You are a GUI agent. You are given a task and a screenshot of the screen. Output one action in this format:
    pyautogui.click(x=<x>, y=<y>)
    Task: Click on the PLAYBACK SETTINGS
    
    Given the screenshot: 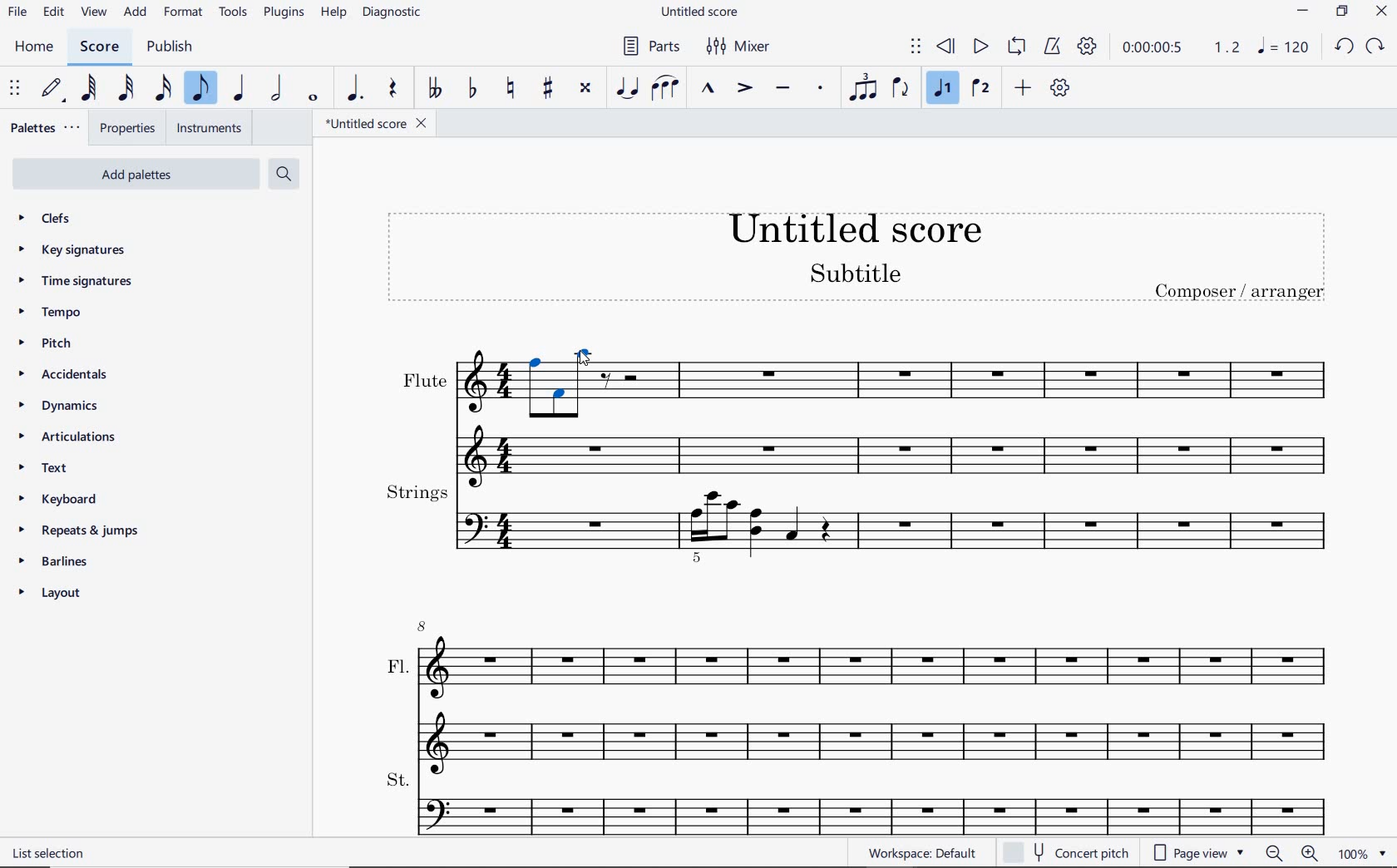 What is the action you would take?
    pyautogui.click(x=1087, y=46)
    